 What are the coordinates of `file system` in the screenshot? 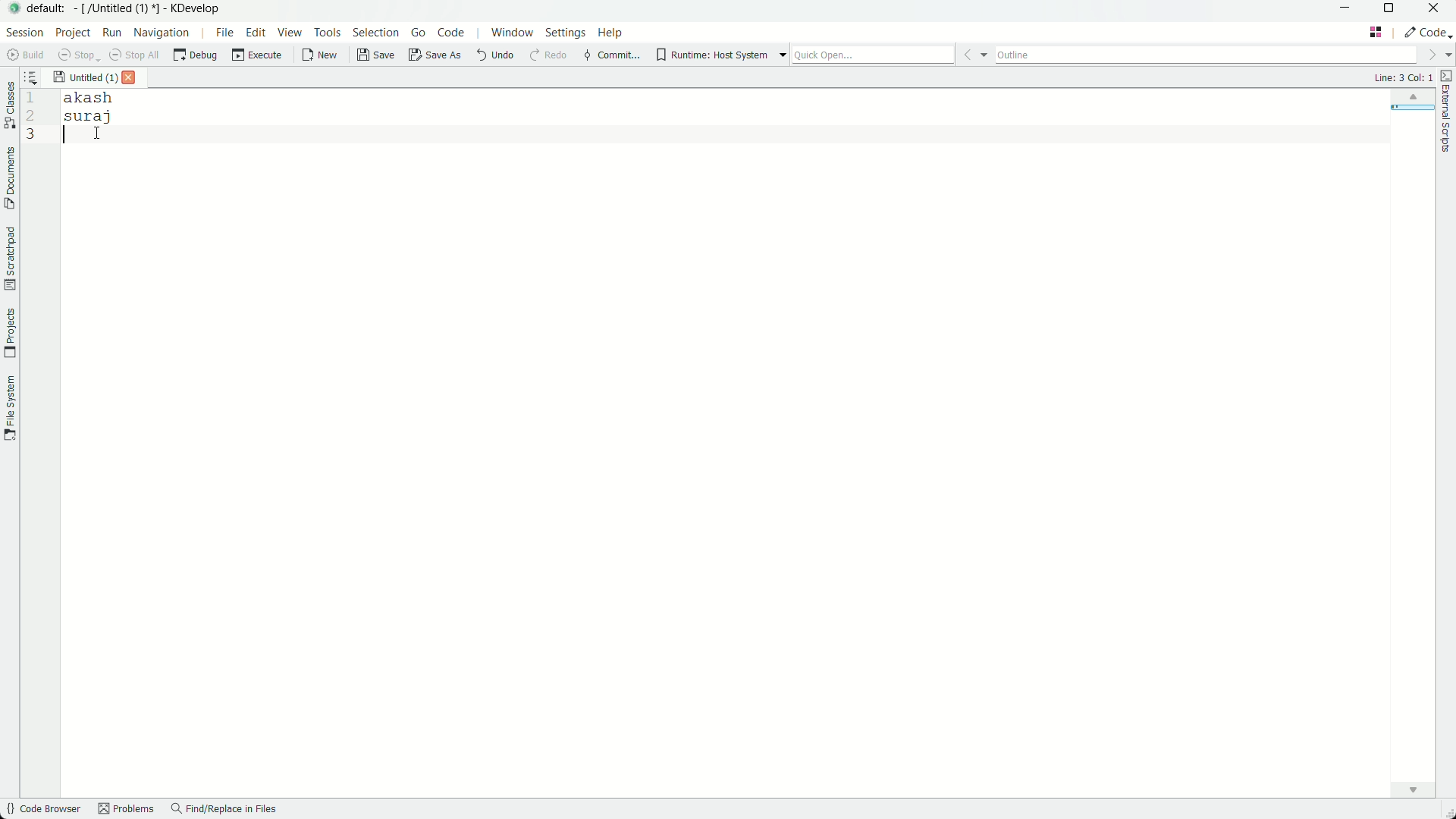 It's located at (10, 409).